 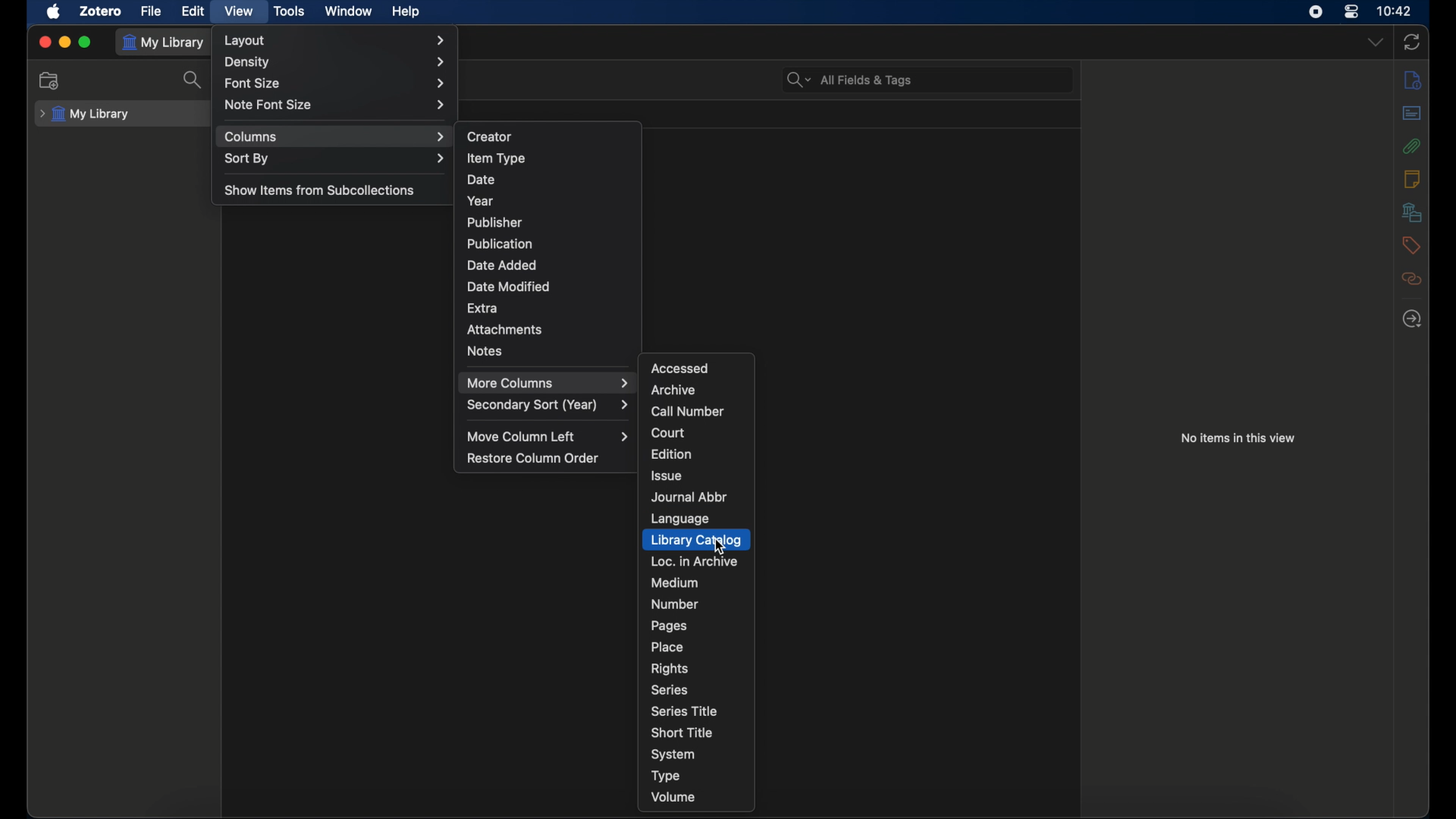 I want to click on creator, so click(x=491, y=136).